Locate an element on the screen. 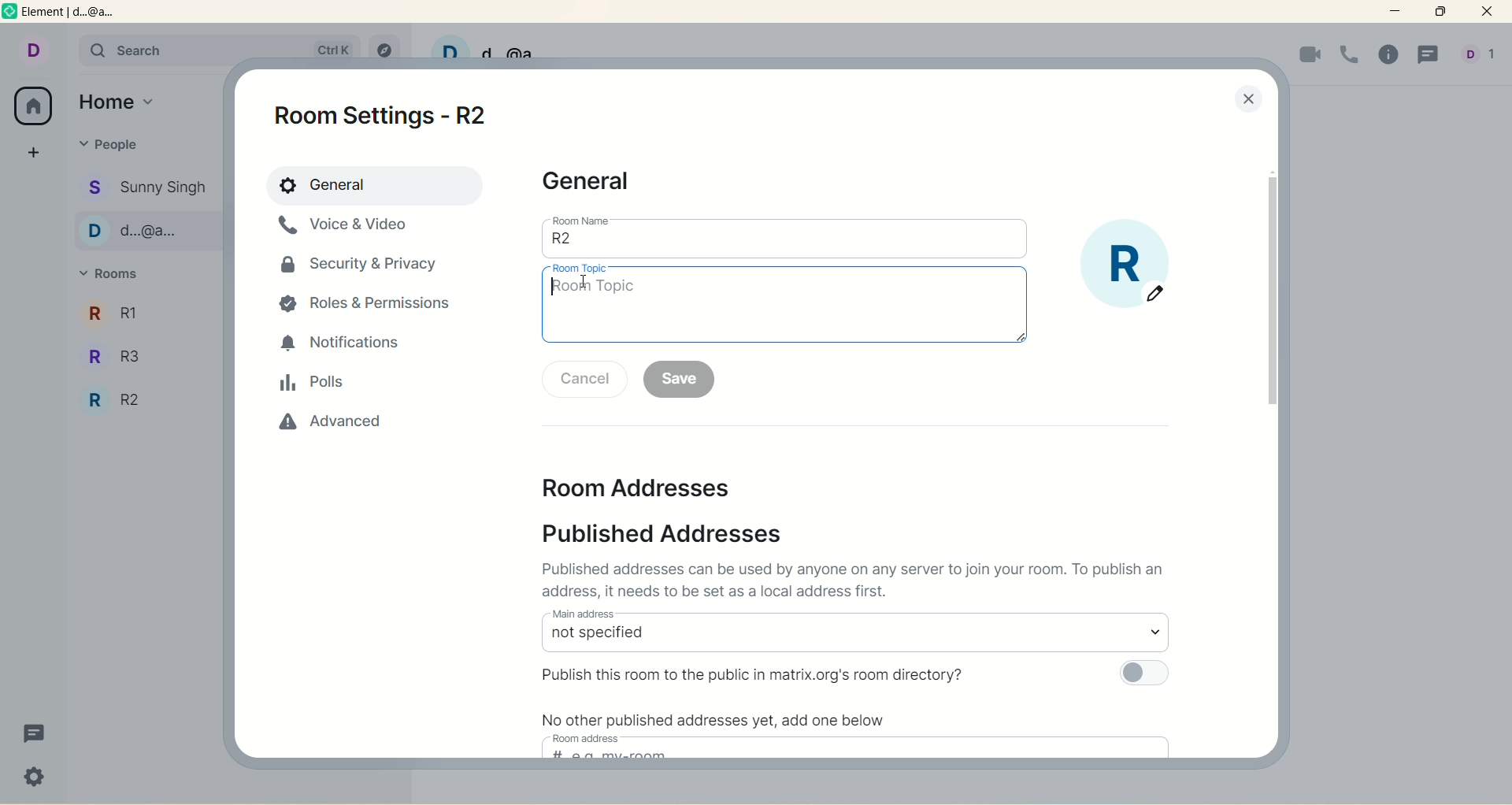 This screenshot has height=805, width=1512. close is located at coordinates (1248, 101).